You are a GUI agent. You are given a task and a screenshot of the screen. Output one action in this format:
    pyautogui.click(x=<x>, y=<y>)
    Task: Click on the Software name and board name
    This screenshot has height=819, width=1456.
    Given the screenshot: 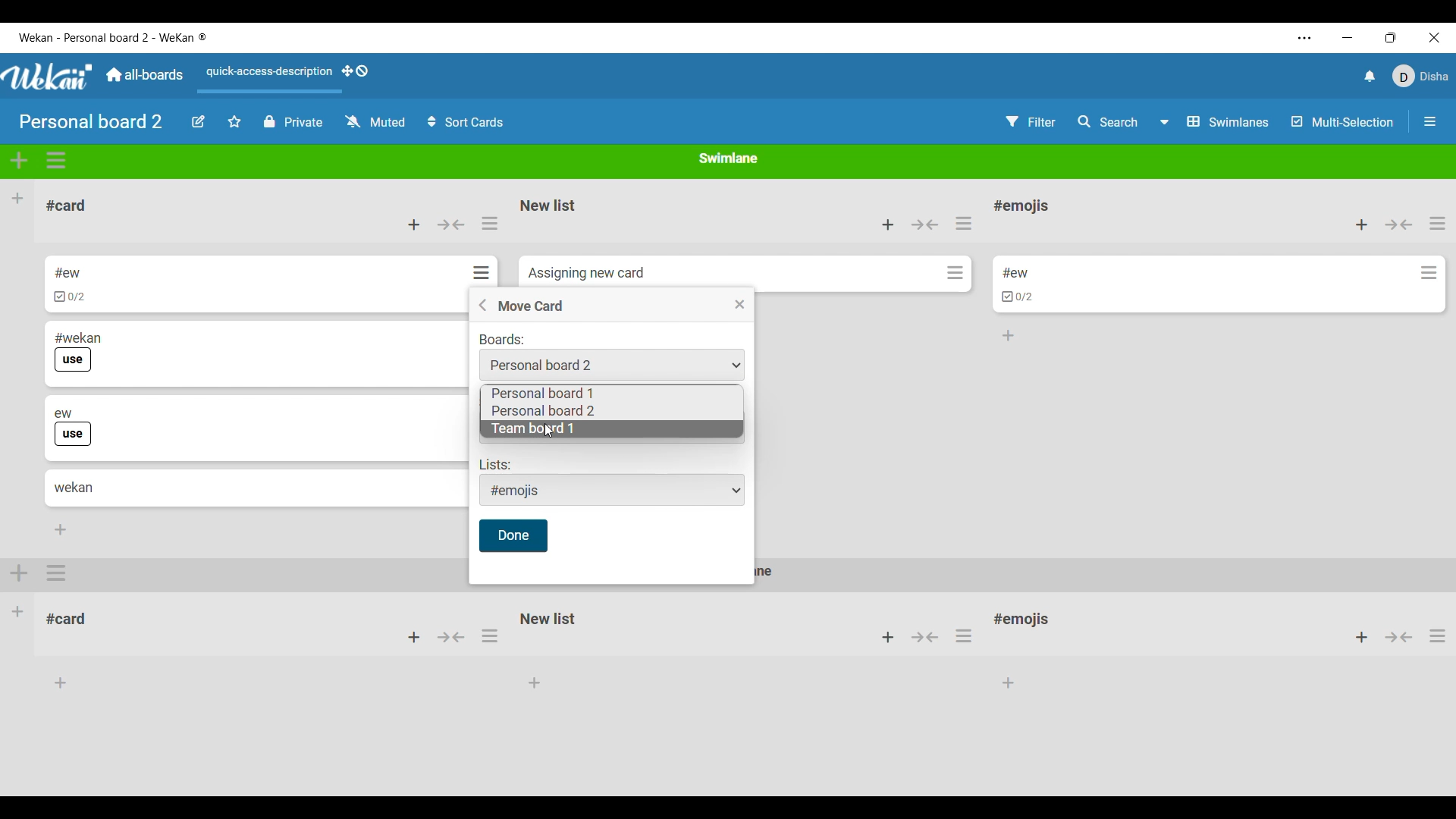 What is the action you would take?
    pyautogui.click(x=112, y=37)
    